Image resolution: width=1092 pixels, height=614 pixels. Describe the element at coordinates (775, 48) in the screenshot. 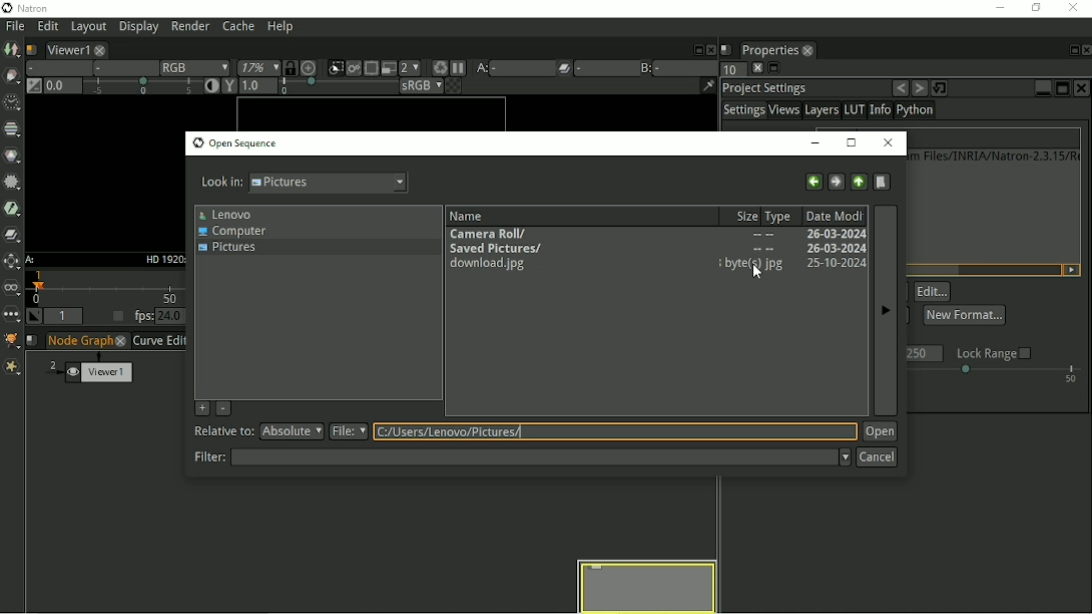

I see `Properties` at that location.